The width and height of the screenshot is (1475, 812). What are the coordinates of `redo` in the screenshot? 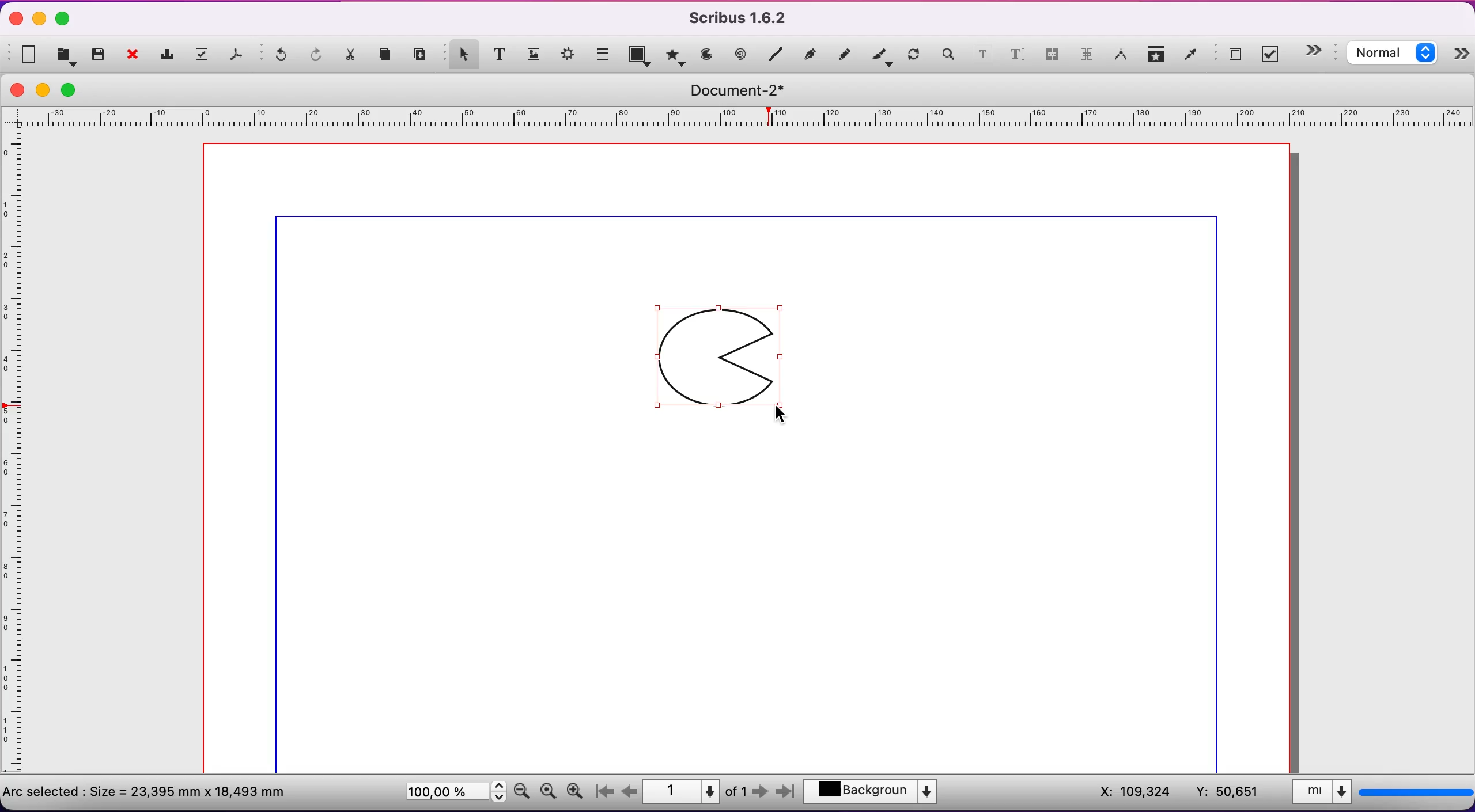 It's located at (317, 56).